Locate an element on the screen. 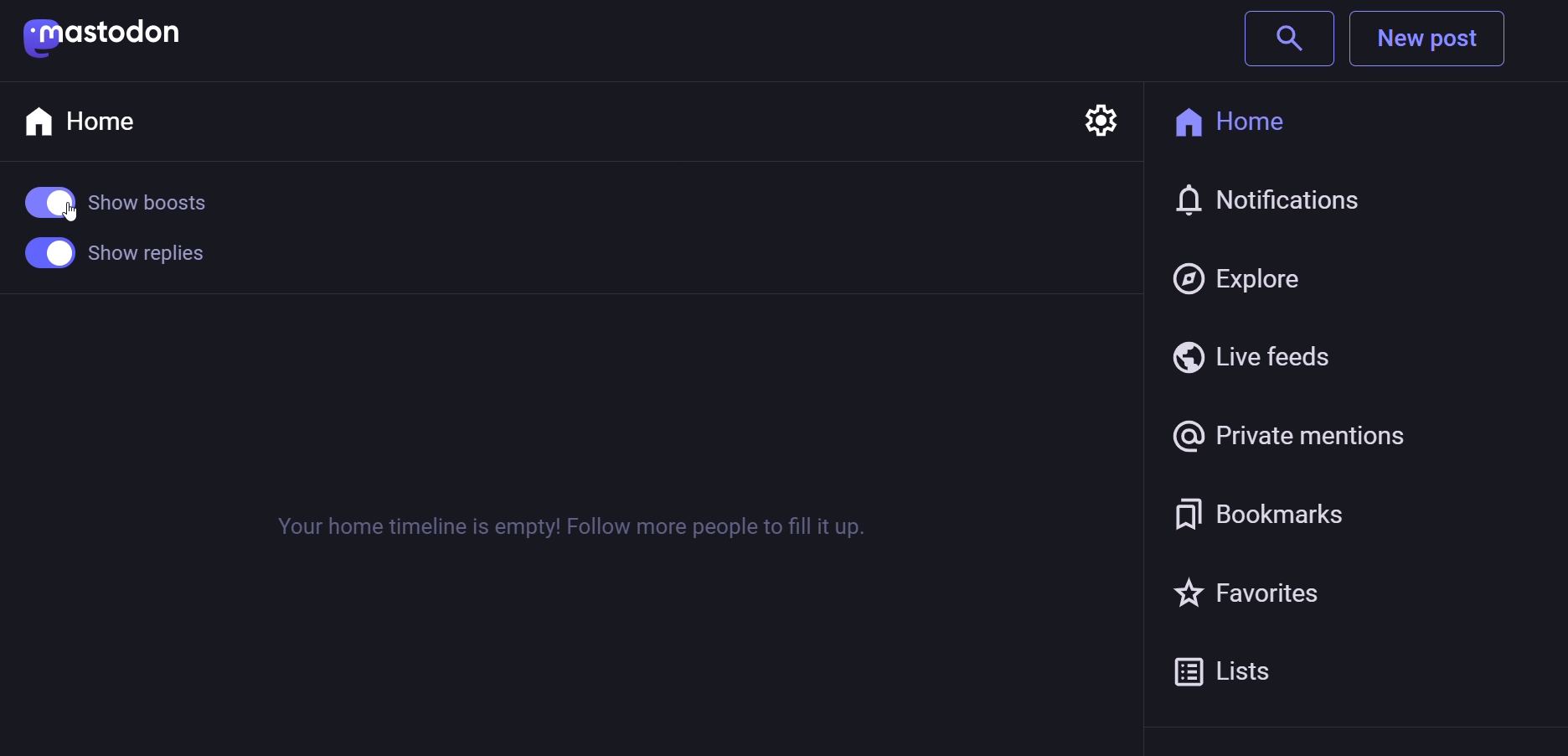 The width and height of the screenshot is (1568, 756). Explore is located at coordinates (1240, 282).